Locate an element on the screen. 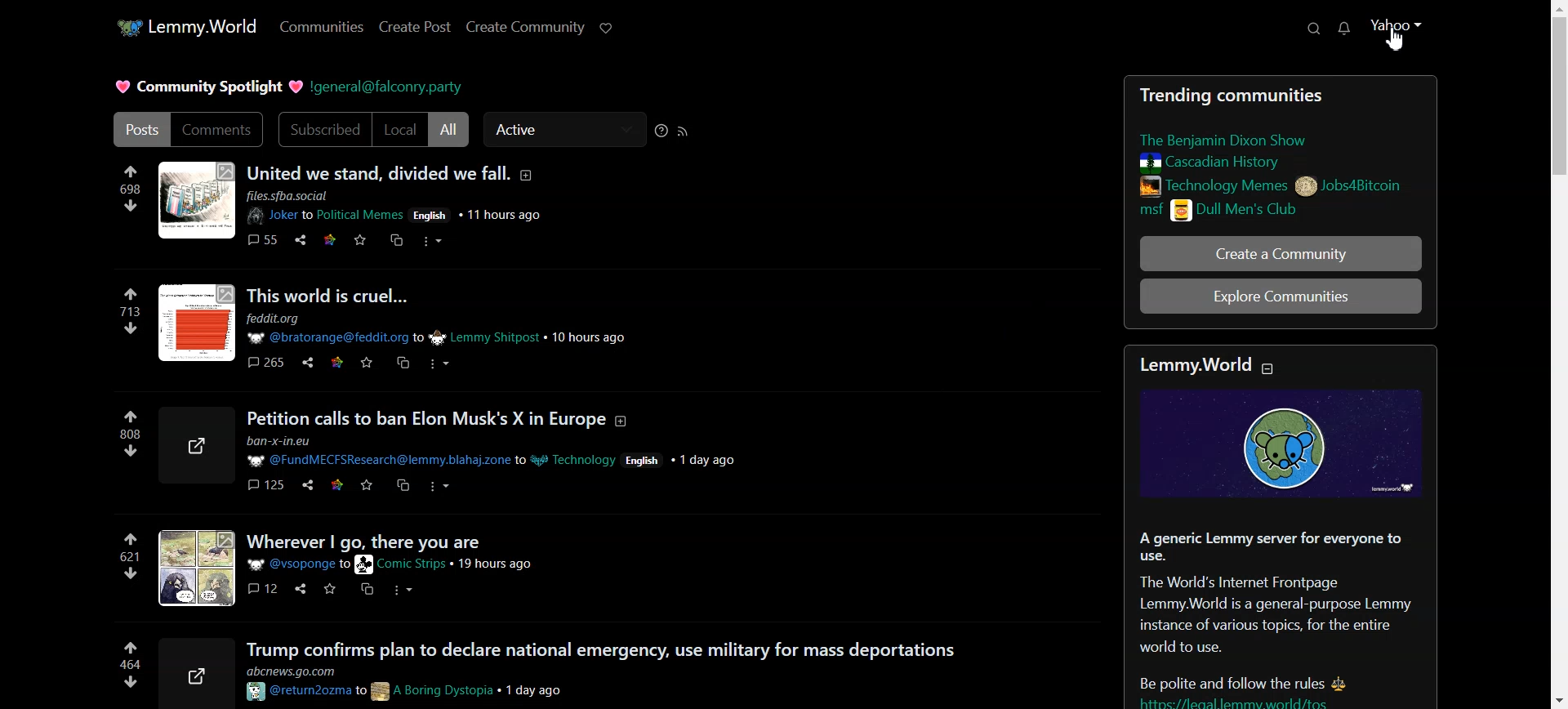 The height and width of the screenshot is (709, 1568). Cursor is located at coordinates (1395, 39).